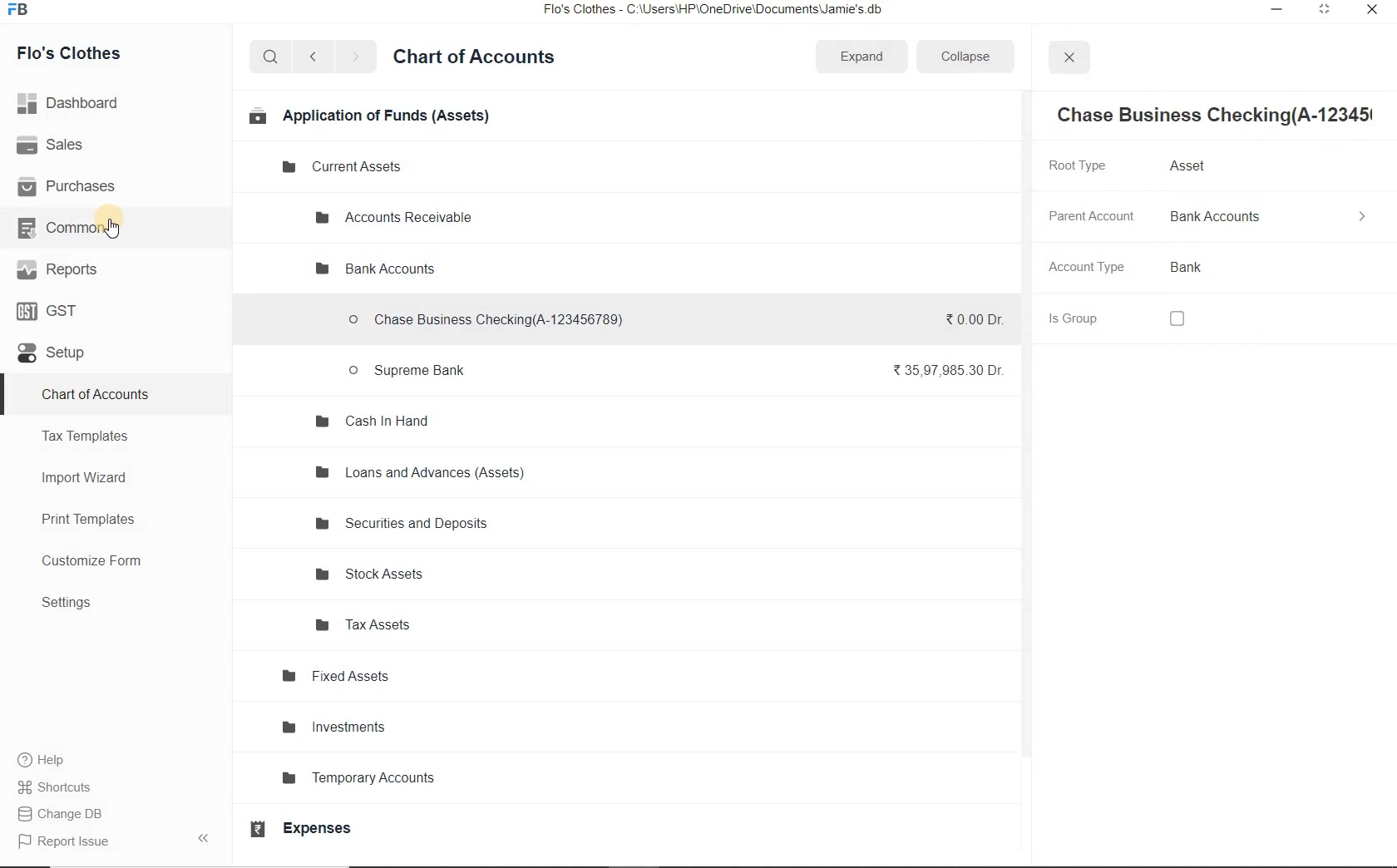 This screenshot has width=1397, height=868. I want to click on Loans and Advances (Assets), so click(431, 479).